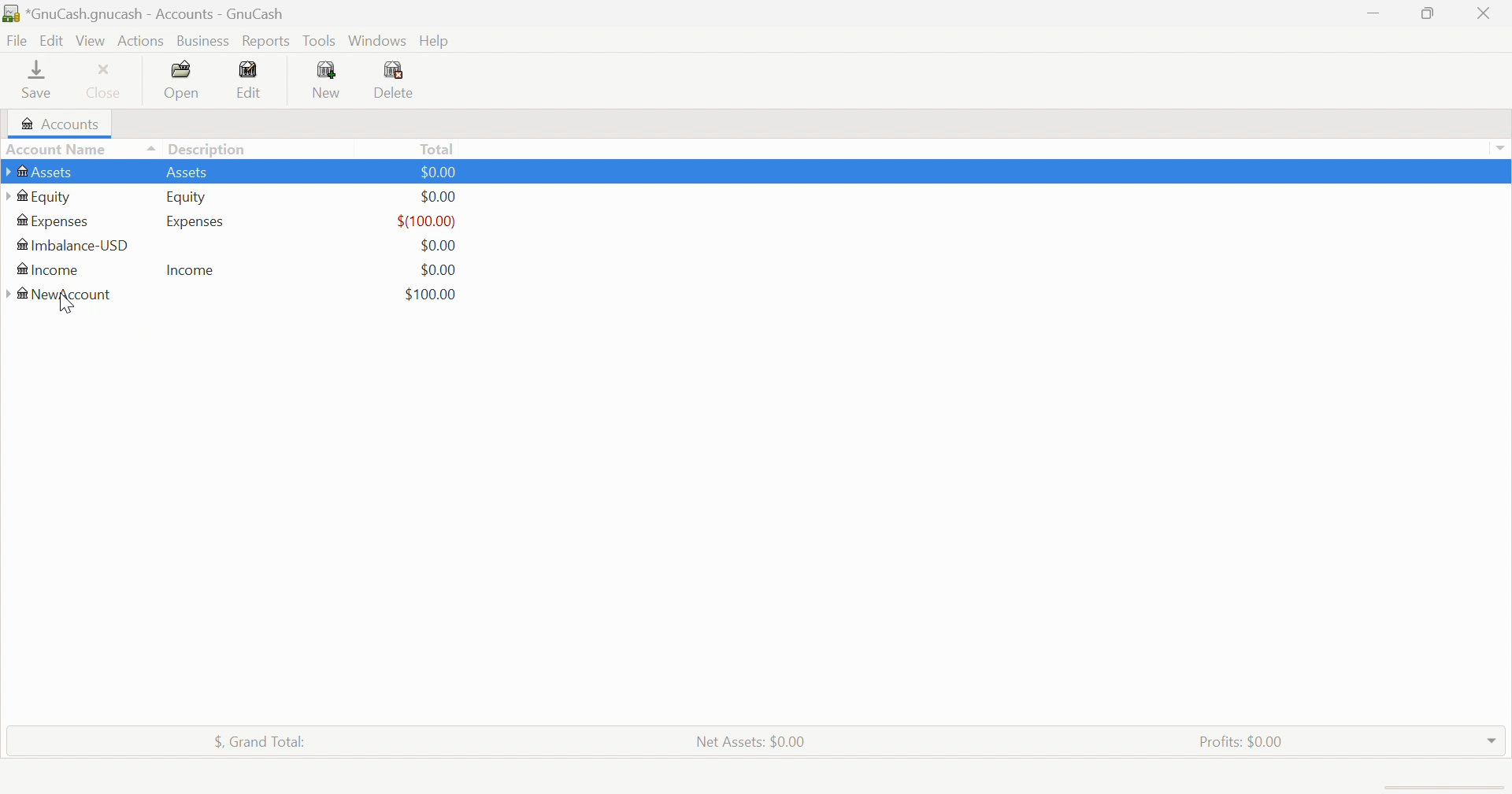  Describe the element at coordinates (1485, 13) in the screenshot. I see `Close` at that location.